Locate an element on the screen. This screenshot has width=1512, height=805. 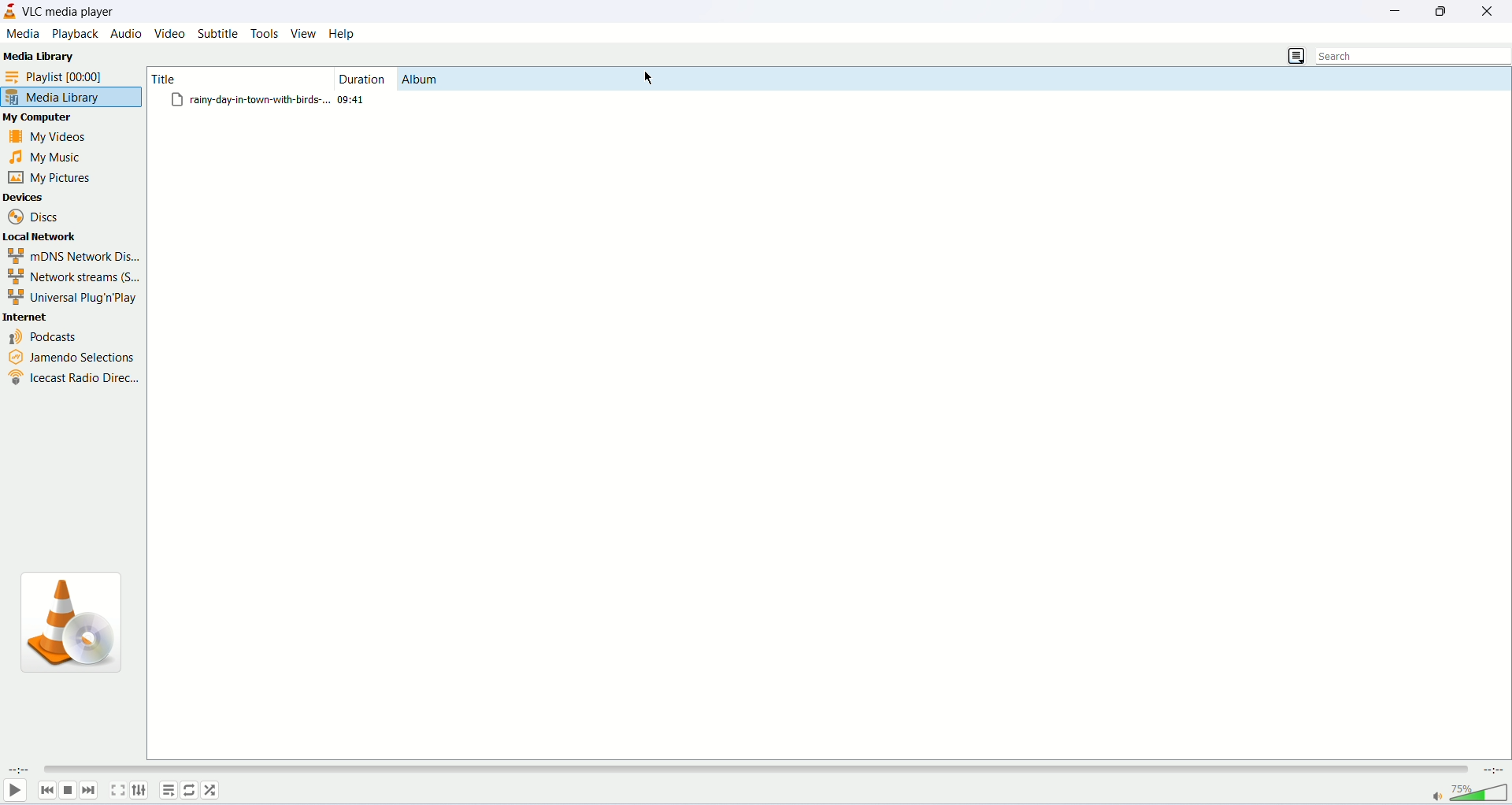
play is located at coordinates (14, 792).